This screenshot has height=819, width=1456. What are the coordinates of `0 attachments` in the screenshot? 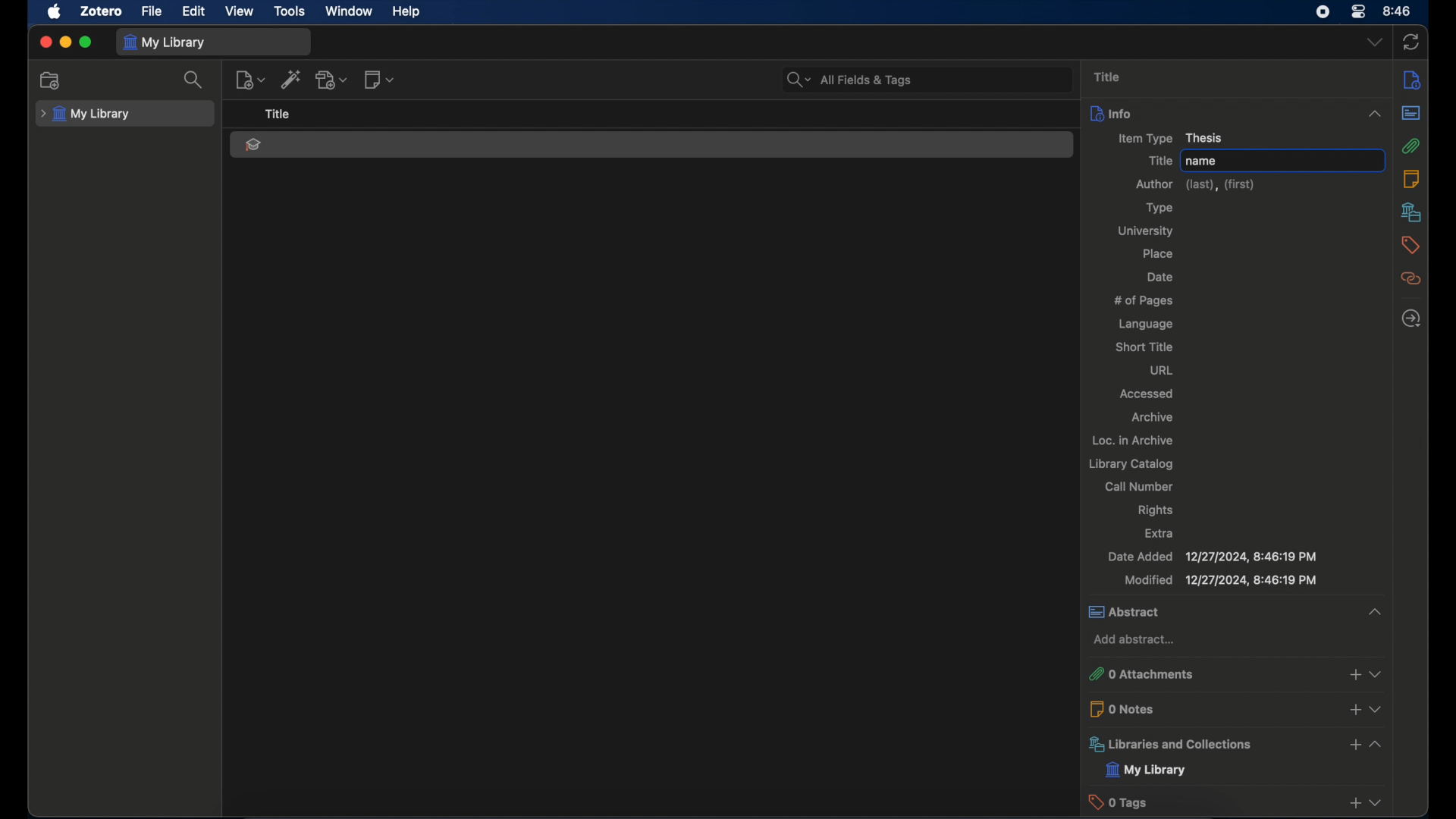 It's located at (1209, 674).